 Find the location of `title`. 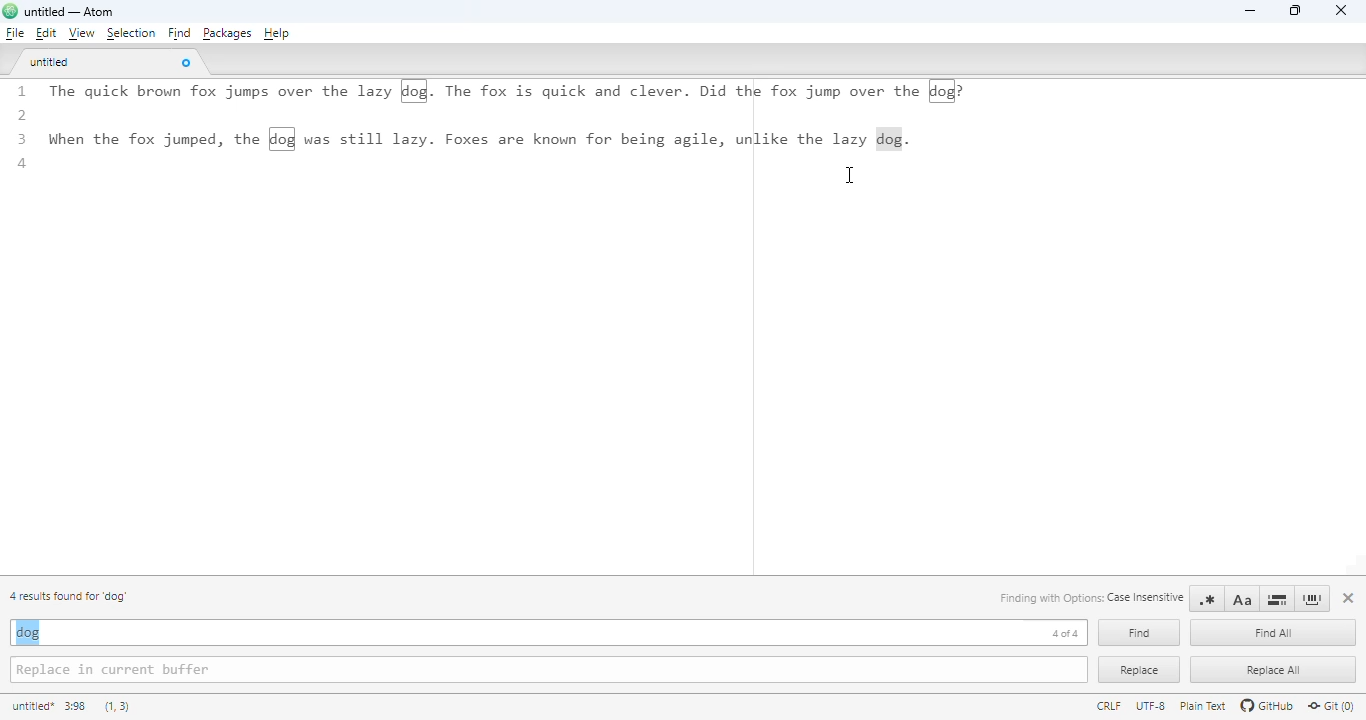

title is located at coordinates (32, 707).